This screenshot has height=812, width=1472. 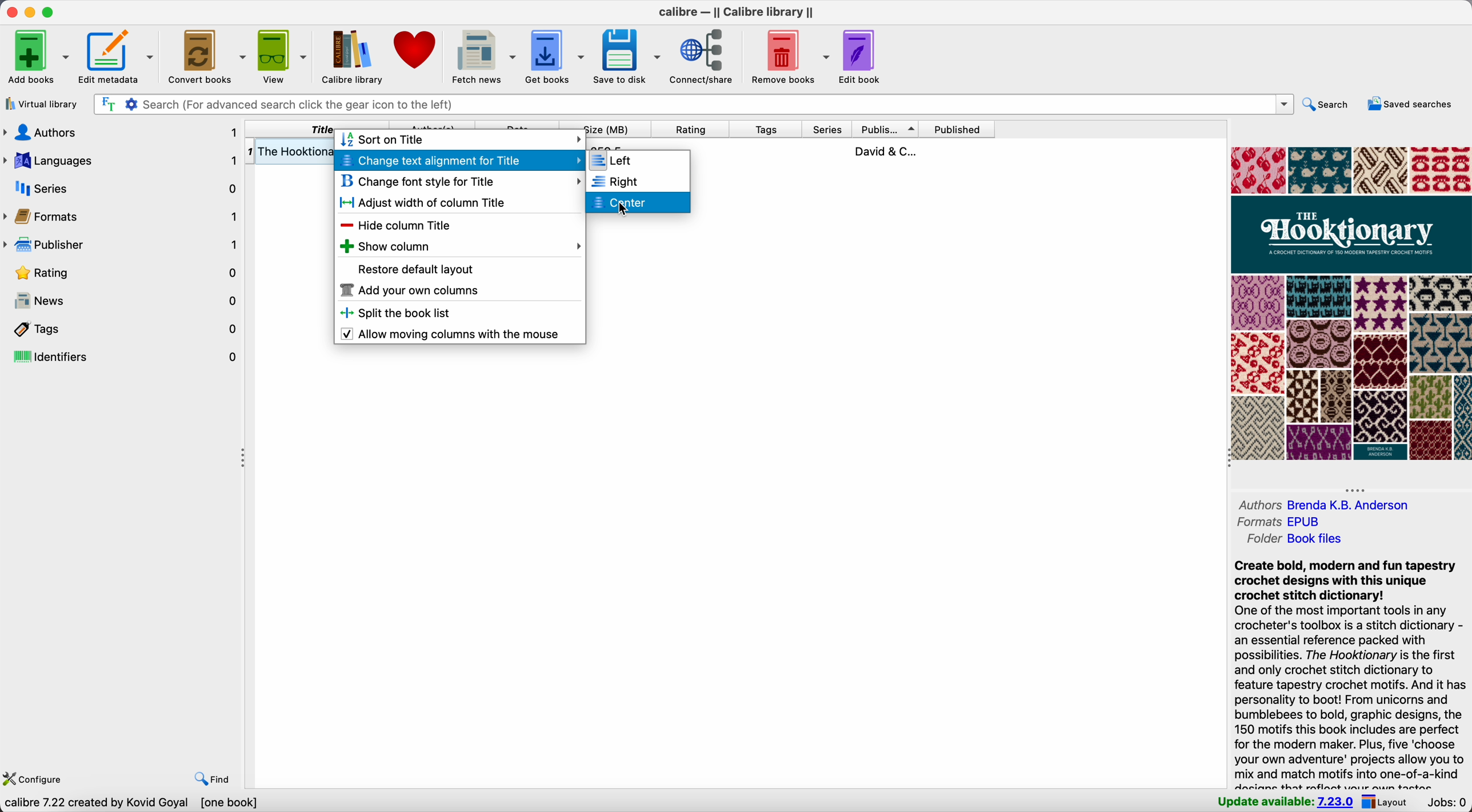 What do you see at coordinates (411, 292) in the screenshot?
I see `add your own columns` at bounding box center [411, 292].